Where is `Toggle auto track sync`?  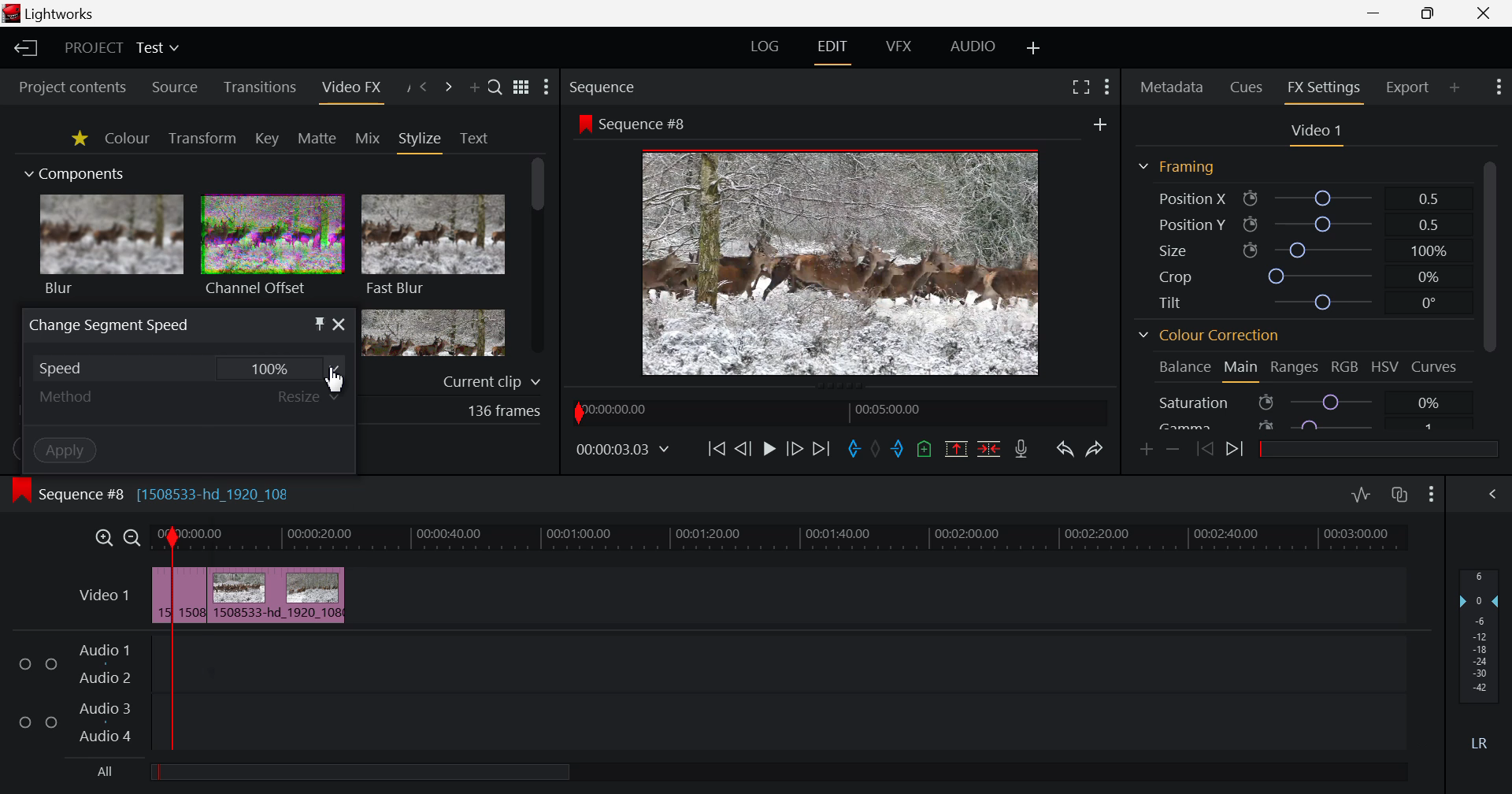 Toggle auto track sync is located at coordinates (1400, 495).